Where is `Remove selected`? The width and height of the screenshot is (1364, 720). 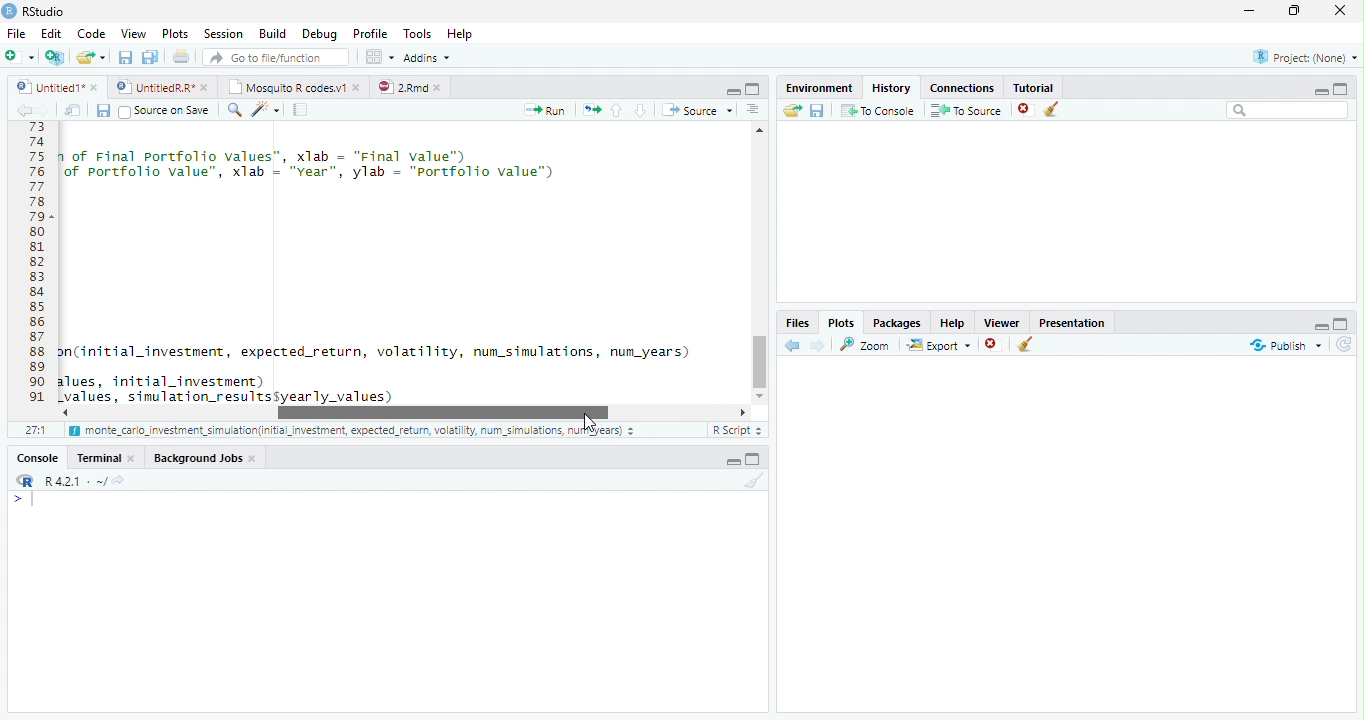 Remove selected is located at coordinates (995, 345).